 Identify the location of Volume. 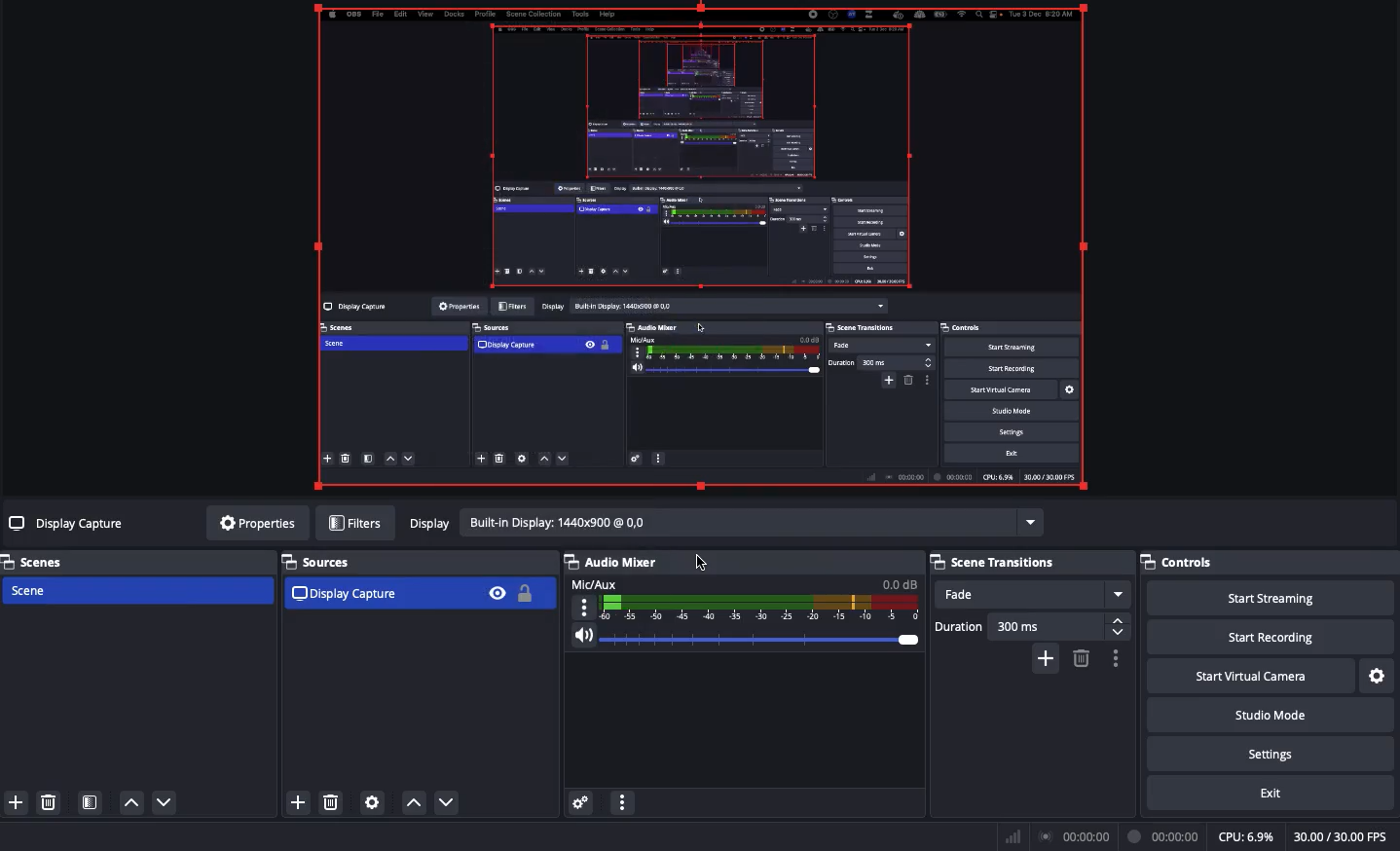
(747, 636).